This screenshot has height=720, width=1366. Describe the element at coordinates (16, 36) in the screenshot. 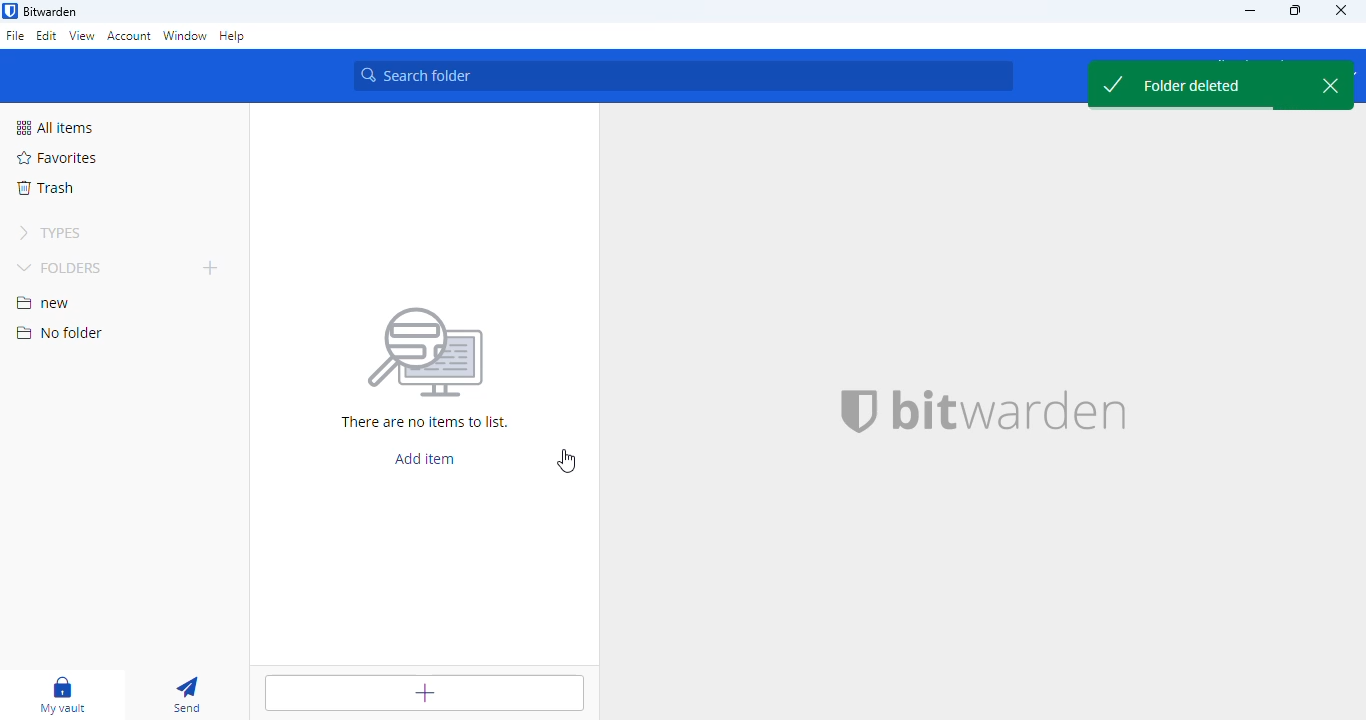

I see `file` at that location.